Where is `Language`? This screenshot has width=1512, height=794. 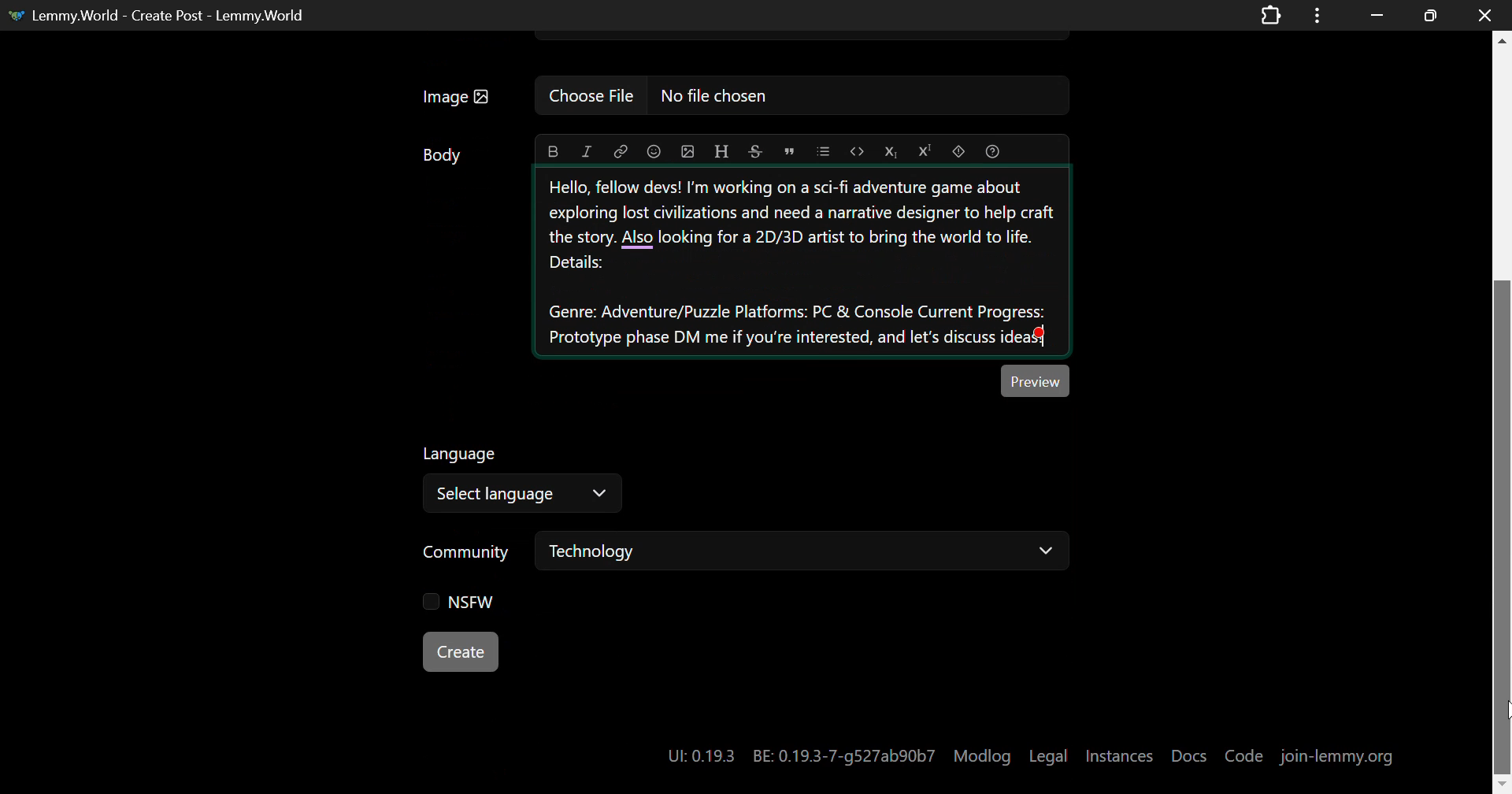
Language is located at coordinates (461, 455).